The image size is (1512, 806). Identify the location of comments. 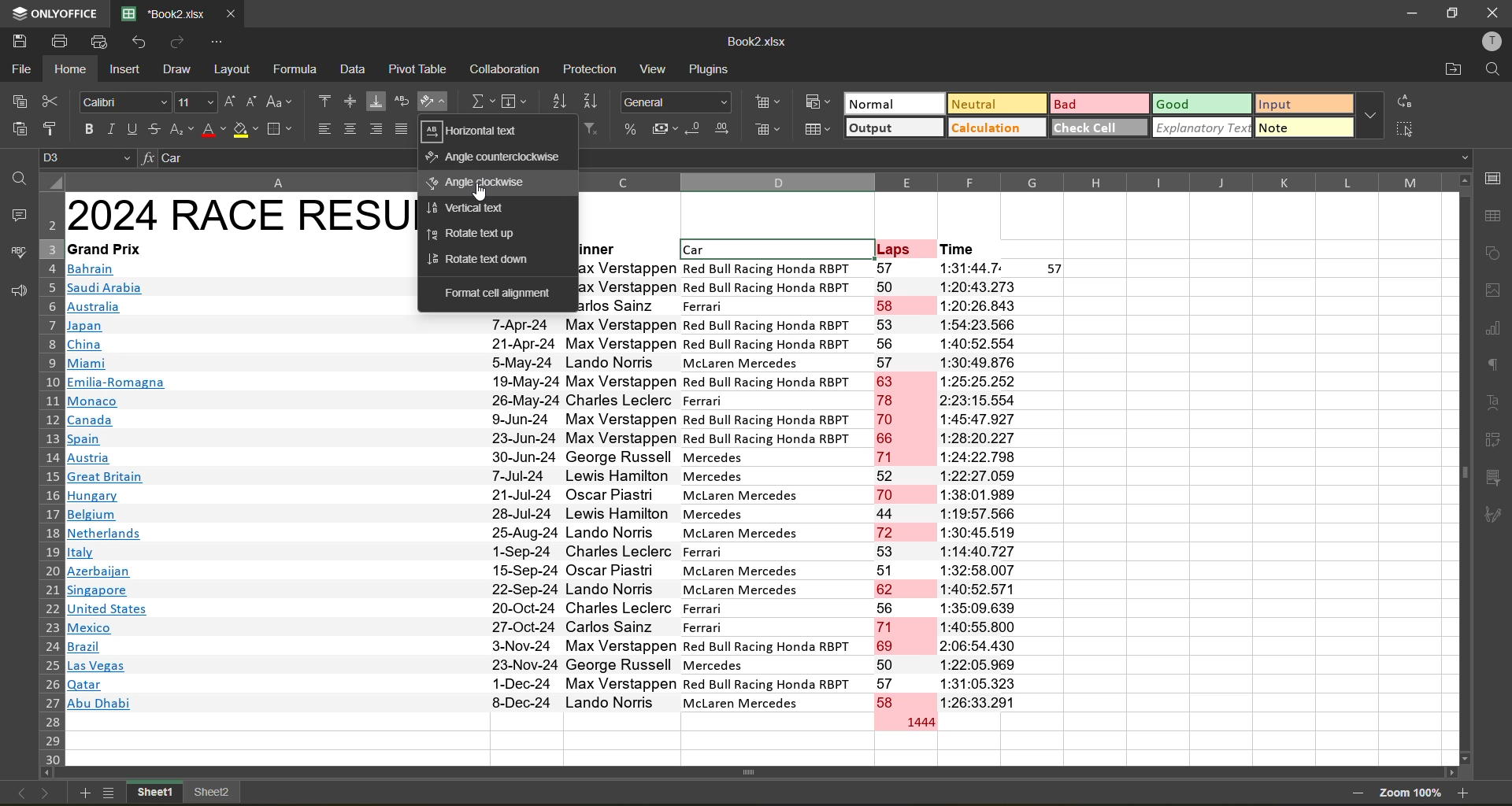
(15, 213).